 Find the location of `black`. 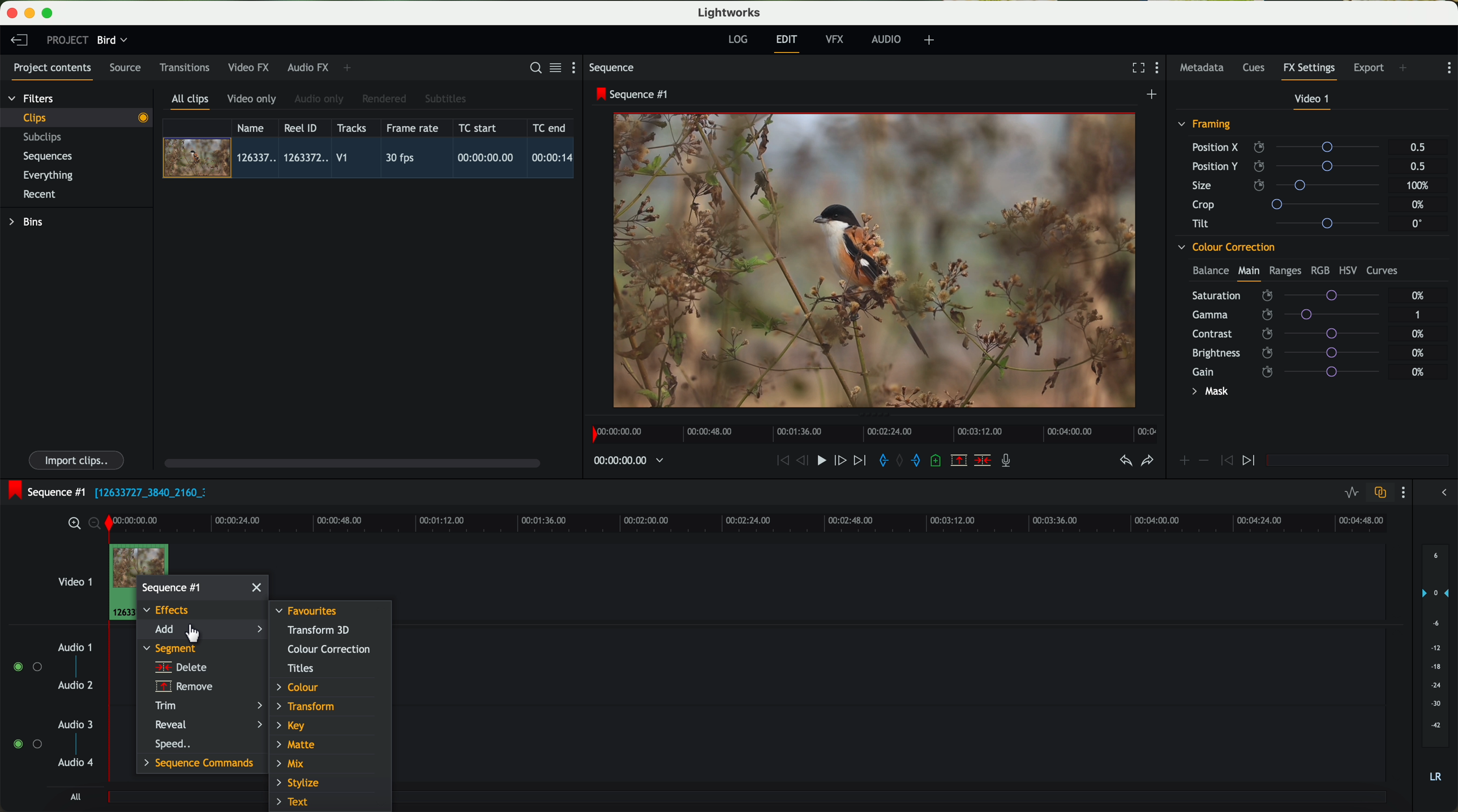

black is located at coordinates (146, 491).